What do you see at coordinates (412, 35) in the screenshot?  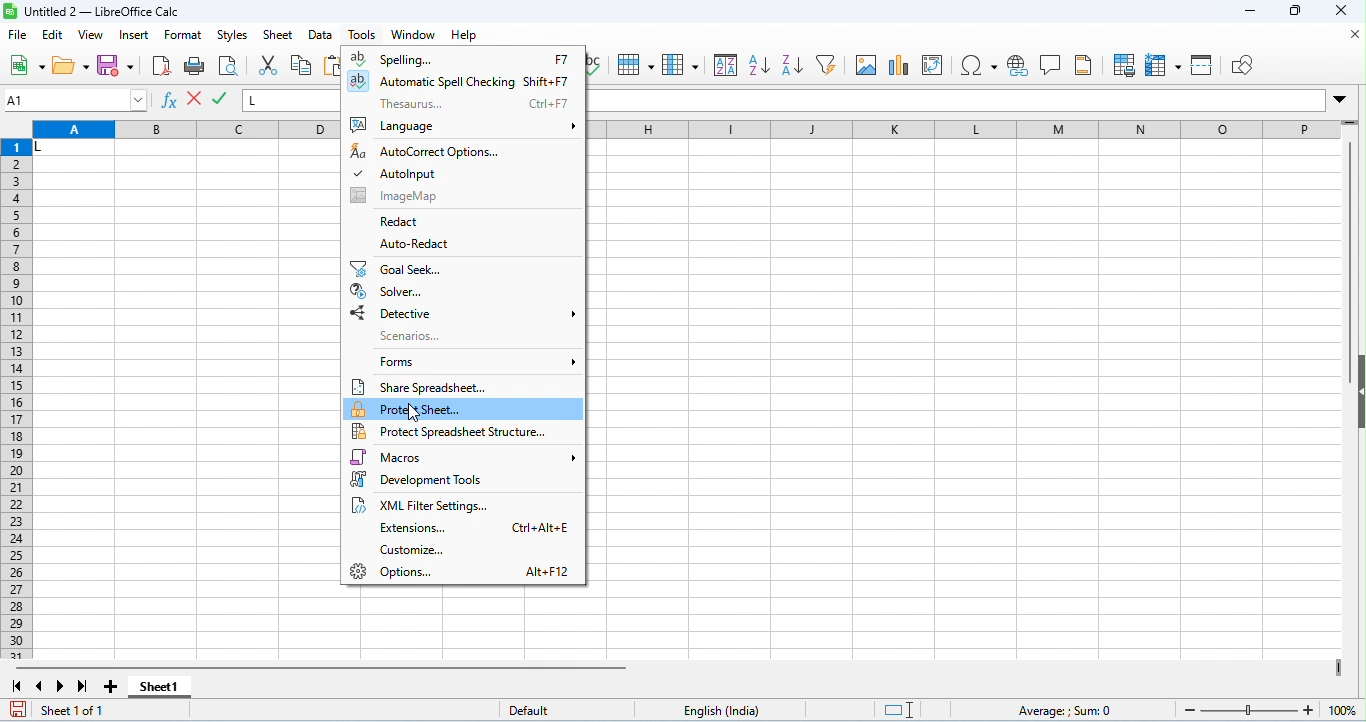 I see `window` at bounding box center [412, 35].